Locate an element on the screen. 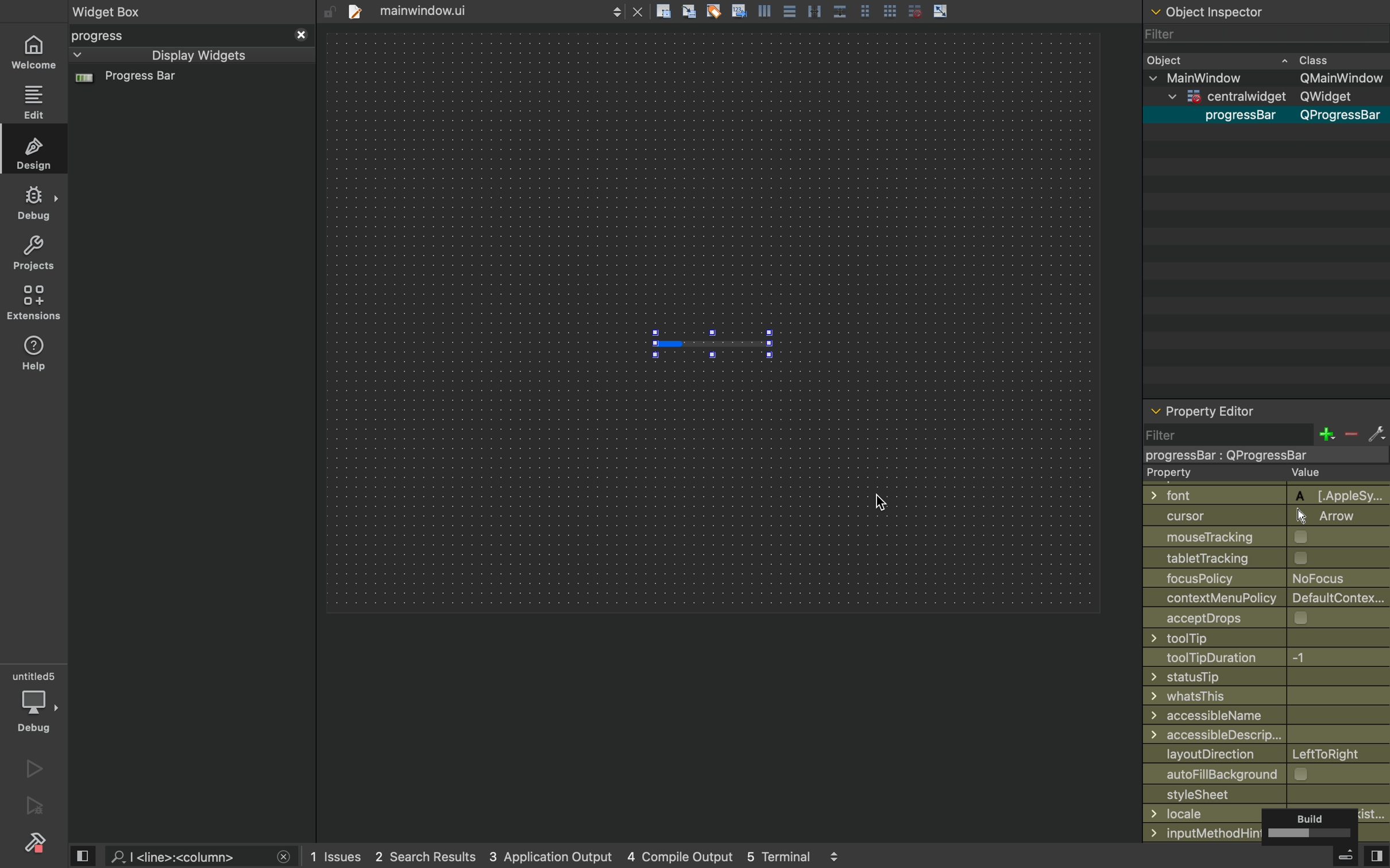 The width and height of the screenshot is (1390, 868). progress is located at coordinates (191, 36).